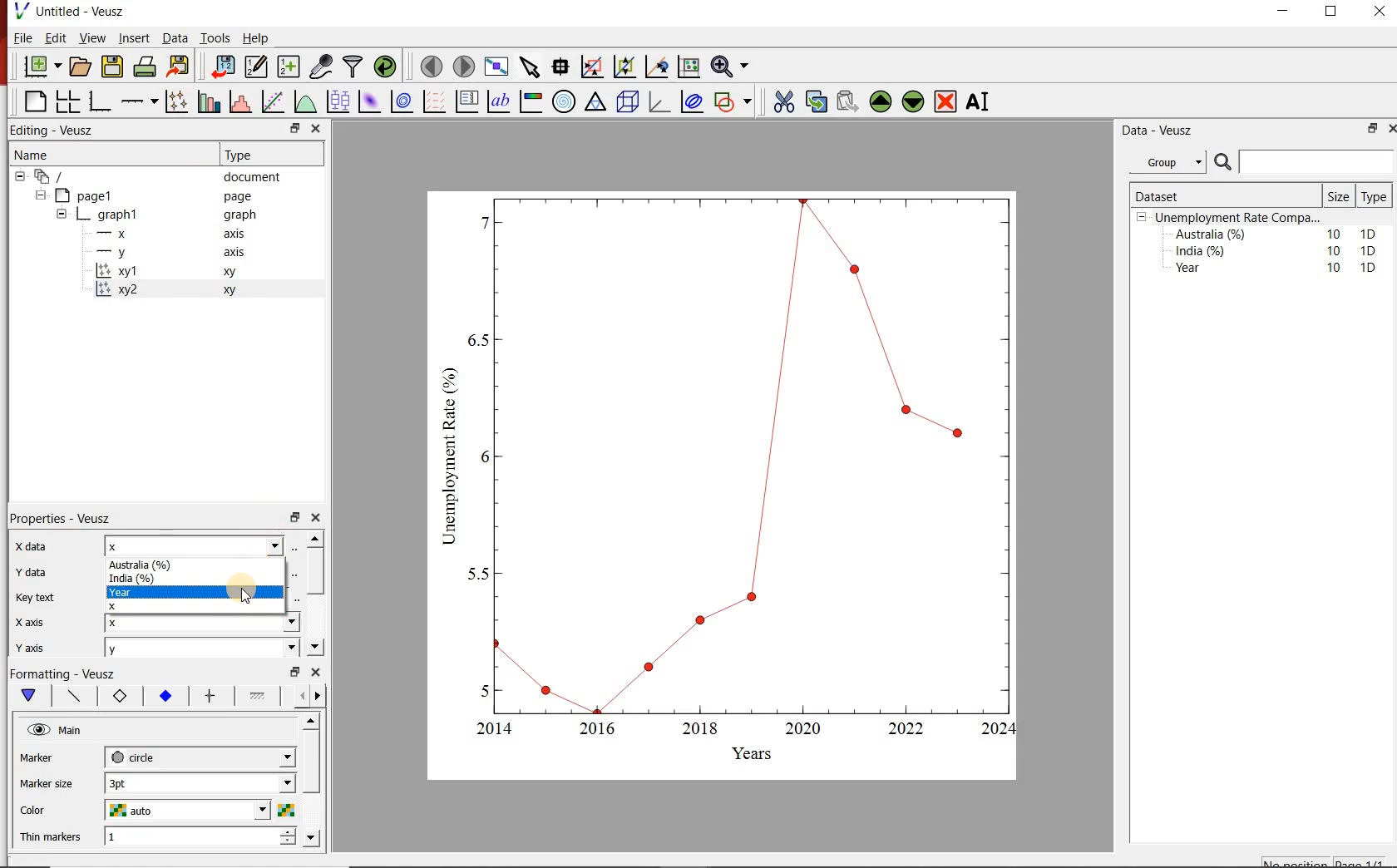 This screenshot has height=868, width=1397. What do you see at coordinates (91, 38) in the screenshot?
I see `View` at bounding box center [91, 38].